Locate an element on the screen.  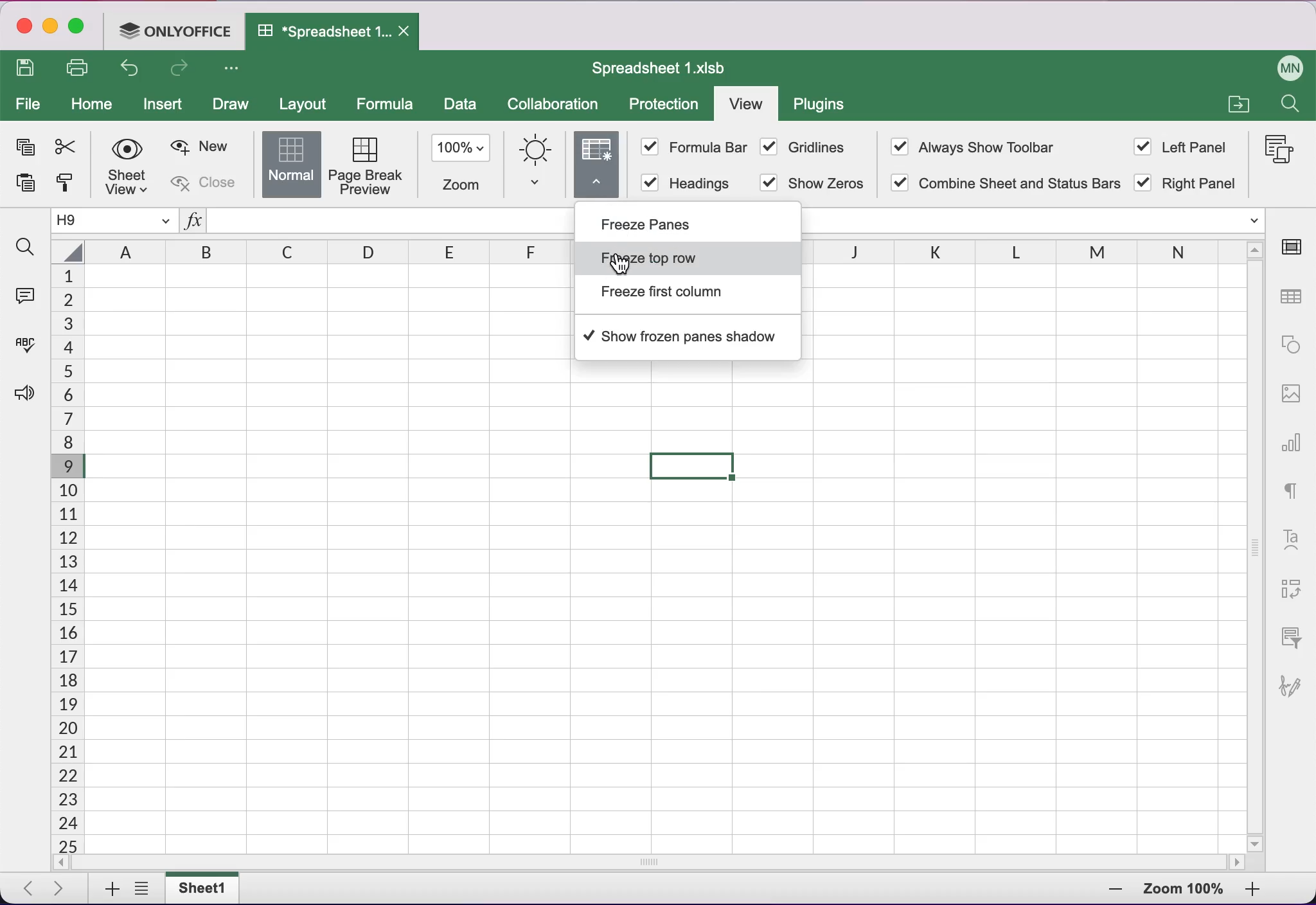
feedback and support is located at coordinates (27, 408).